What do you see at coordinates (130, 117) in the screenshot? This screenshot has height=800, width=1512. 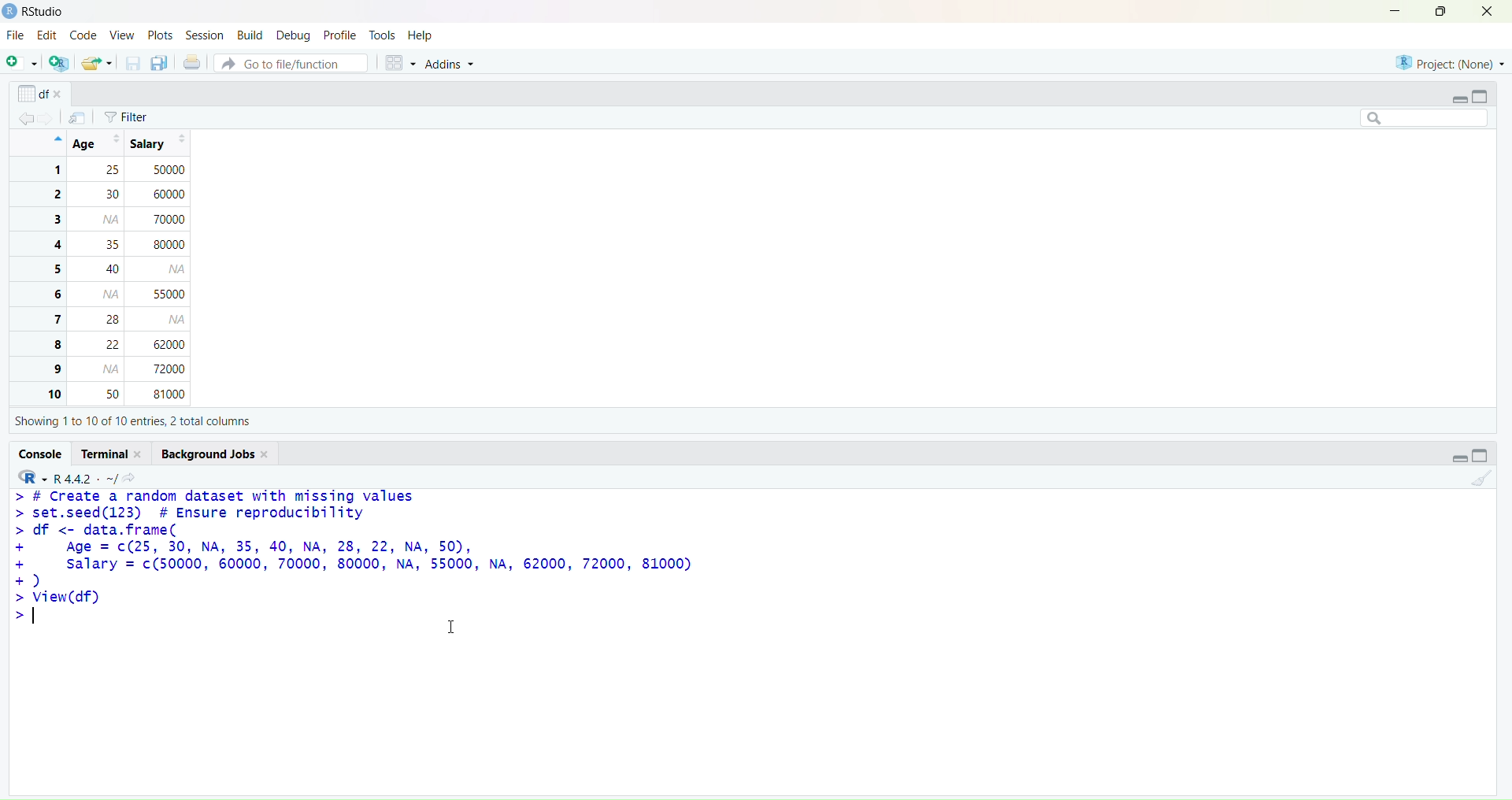 I see `filter` at bounding box center [130, 117].